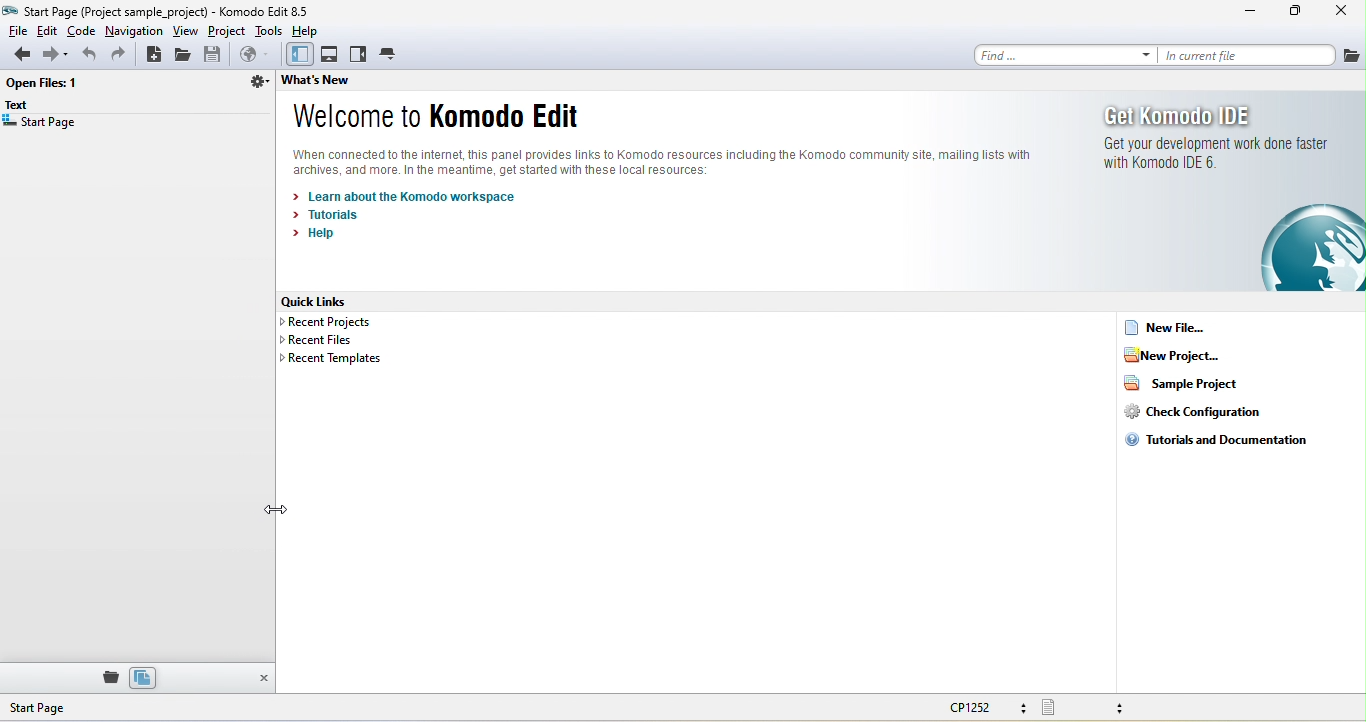  I want to click on place, so click(107, 677).